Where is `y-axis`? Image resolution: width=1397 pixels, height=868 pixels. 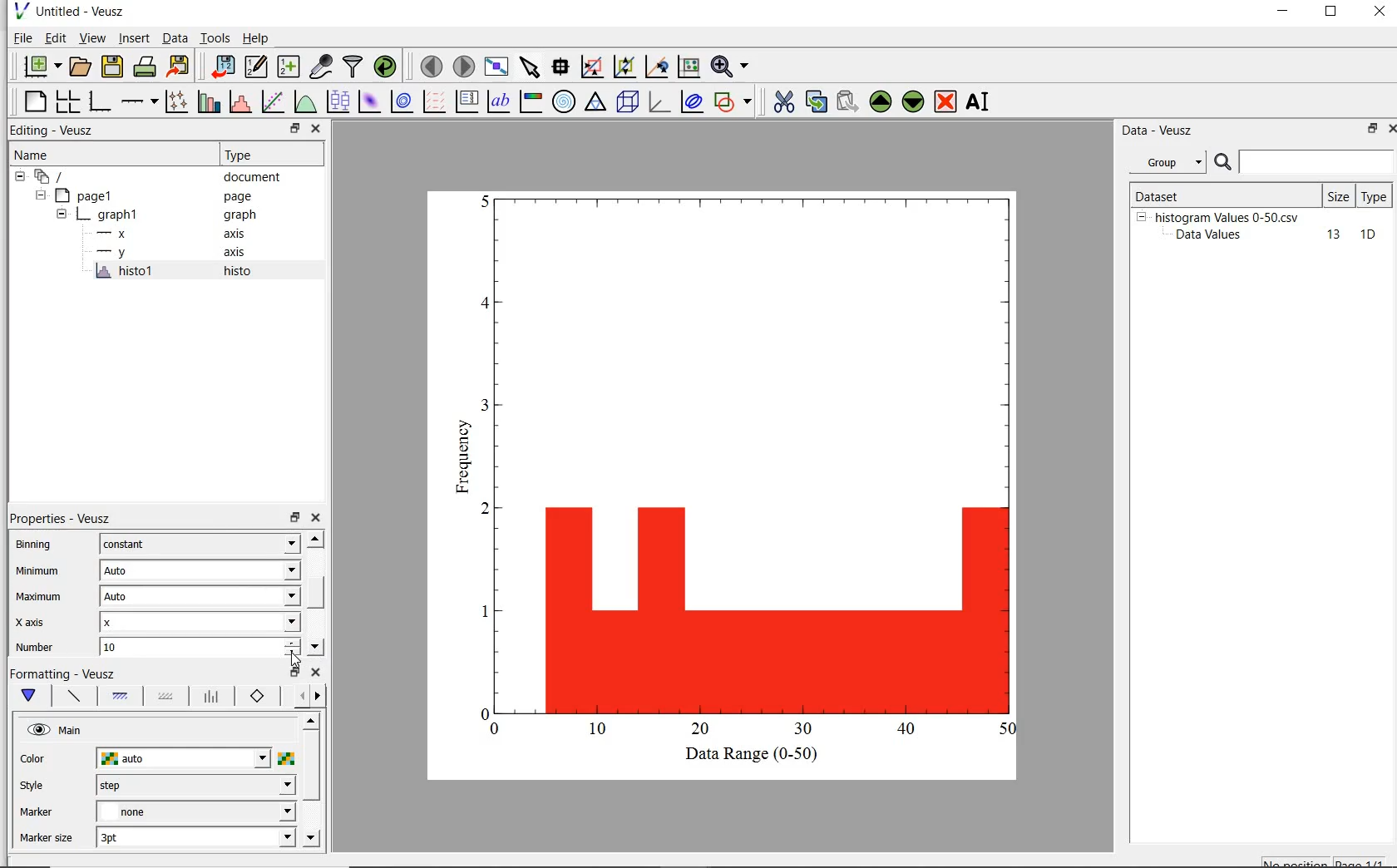 y-axis is located at coordinates (115, 253).